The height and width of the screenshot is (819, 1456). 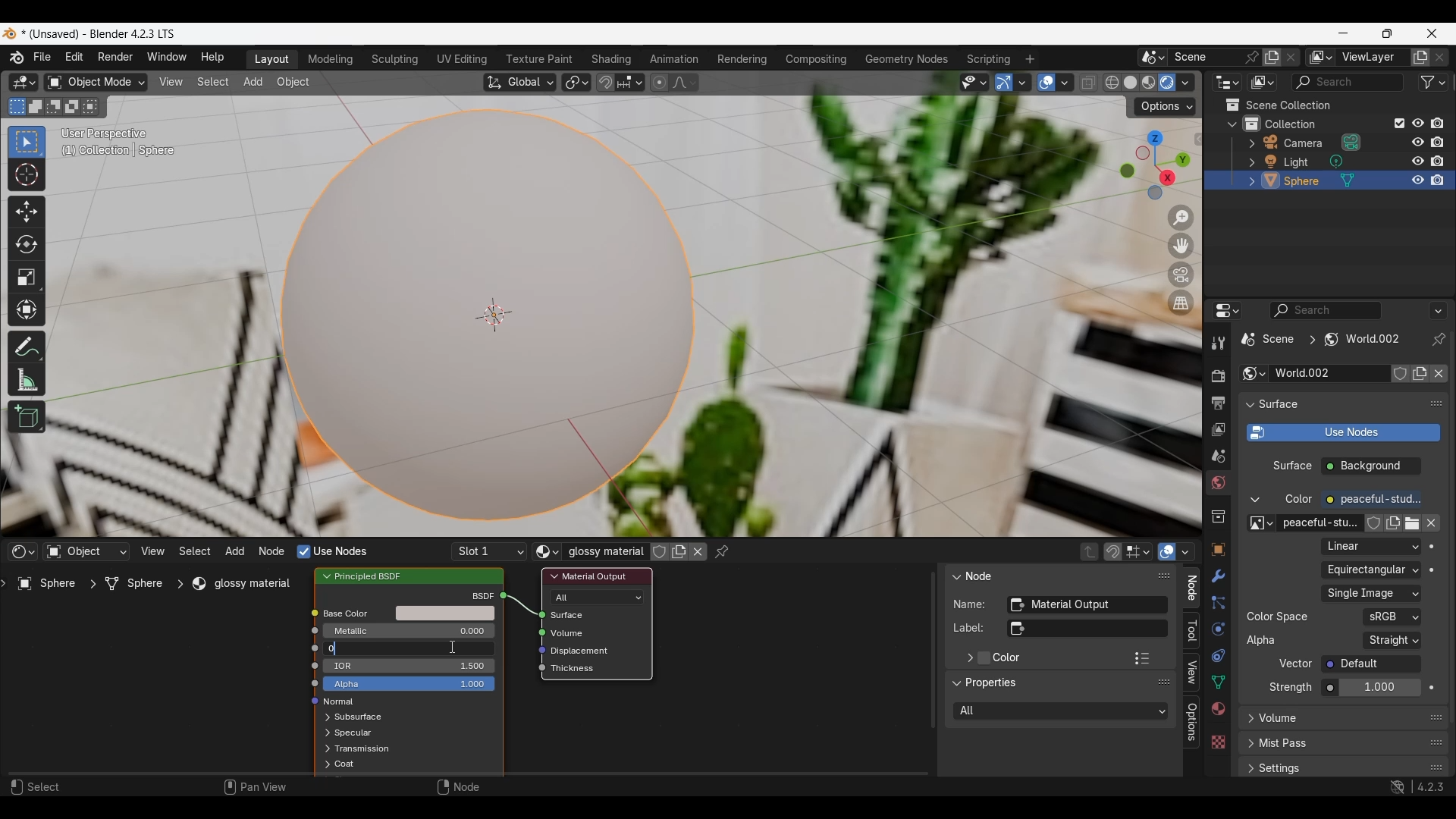 I want to click on Selectability and visibility options, so click(x=974, y=83).